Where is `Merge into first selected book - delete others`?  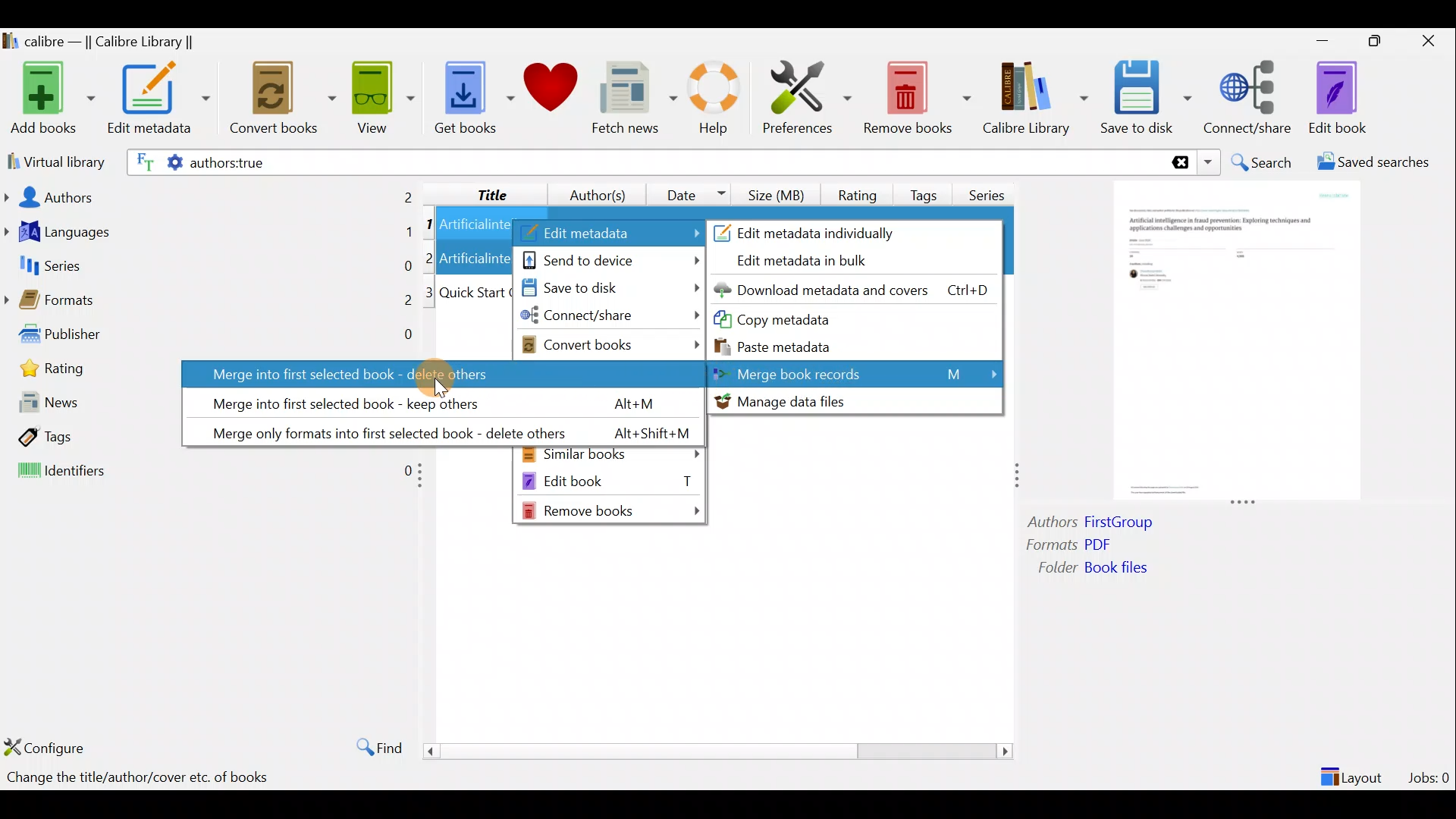 Merge into first selected book - delete others is located at coordinates (439, 373).